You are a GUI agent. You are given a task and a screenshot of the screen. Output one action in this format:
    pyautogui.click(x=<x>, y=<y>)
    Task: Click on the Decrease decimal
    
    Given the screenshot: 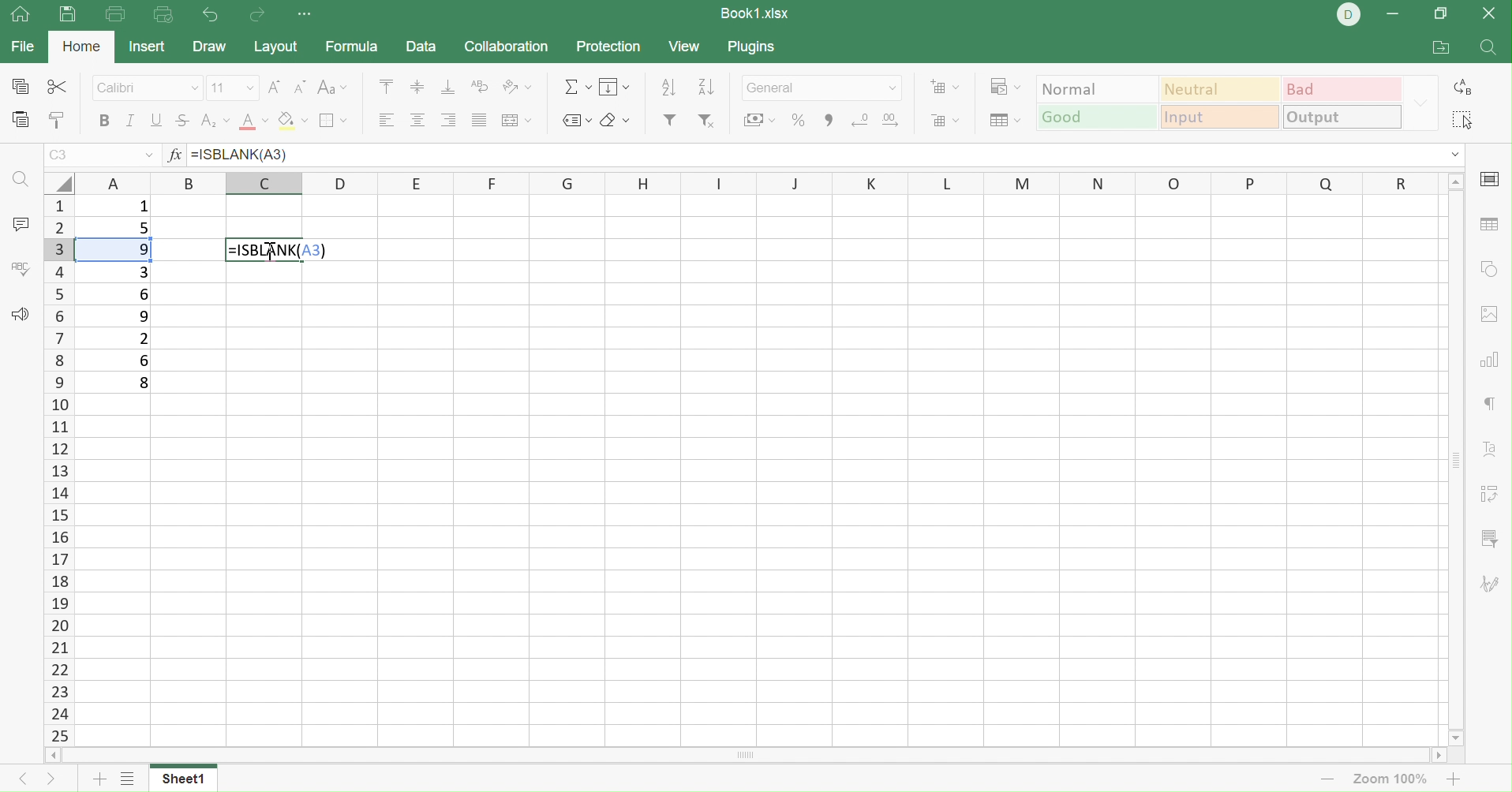 What is the action you would take?
    pyautogui.click(x=856, y=121)
    